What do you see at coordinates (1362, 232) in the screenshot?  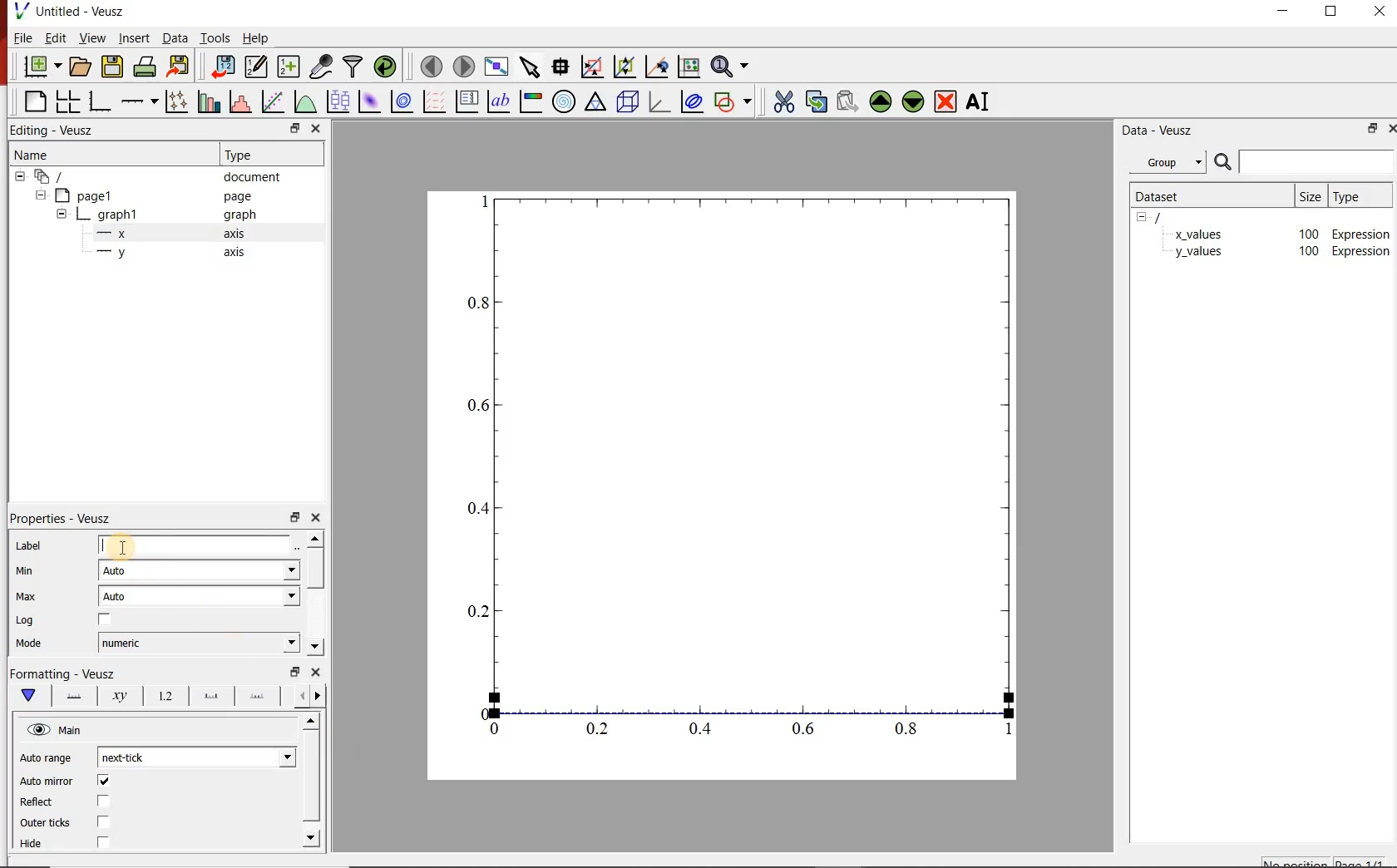 I see `Expression` at bounding box center [1362, 232].